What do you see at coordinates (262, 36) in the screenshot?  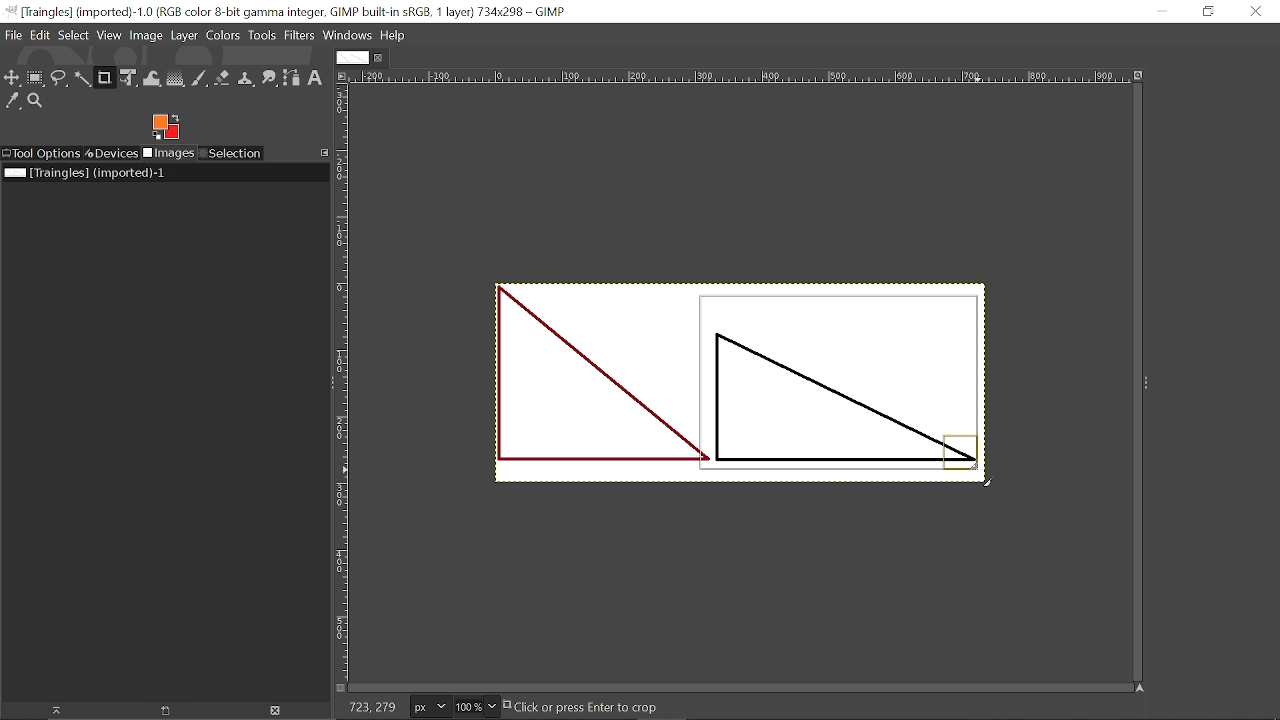 I see `Tools` at bounding box center [262, 36].